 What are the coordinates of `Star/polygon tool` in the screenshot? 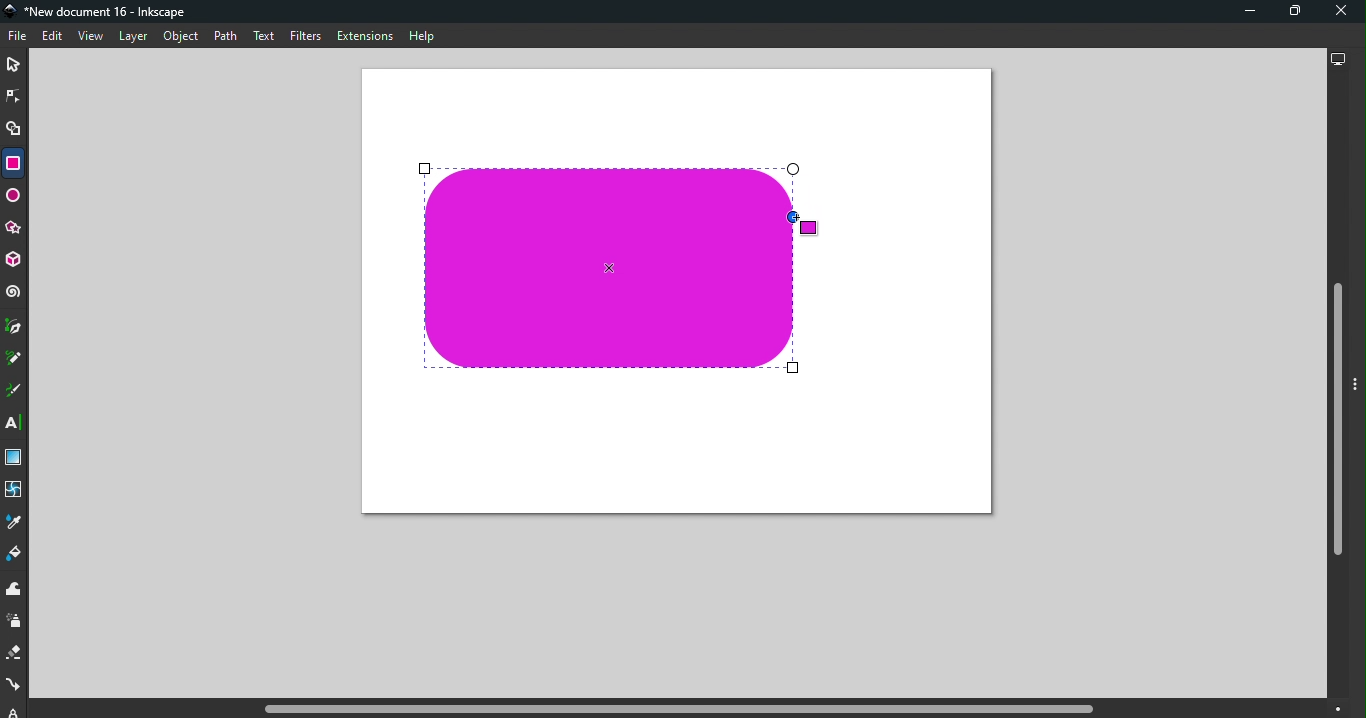 It's located at (15, 229).